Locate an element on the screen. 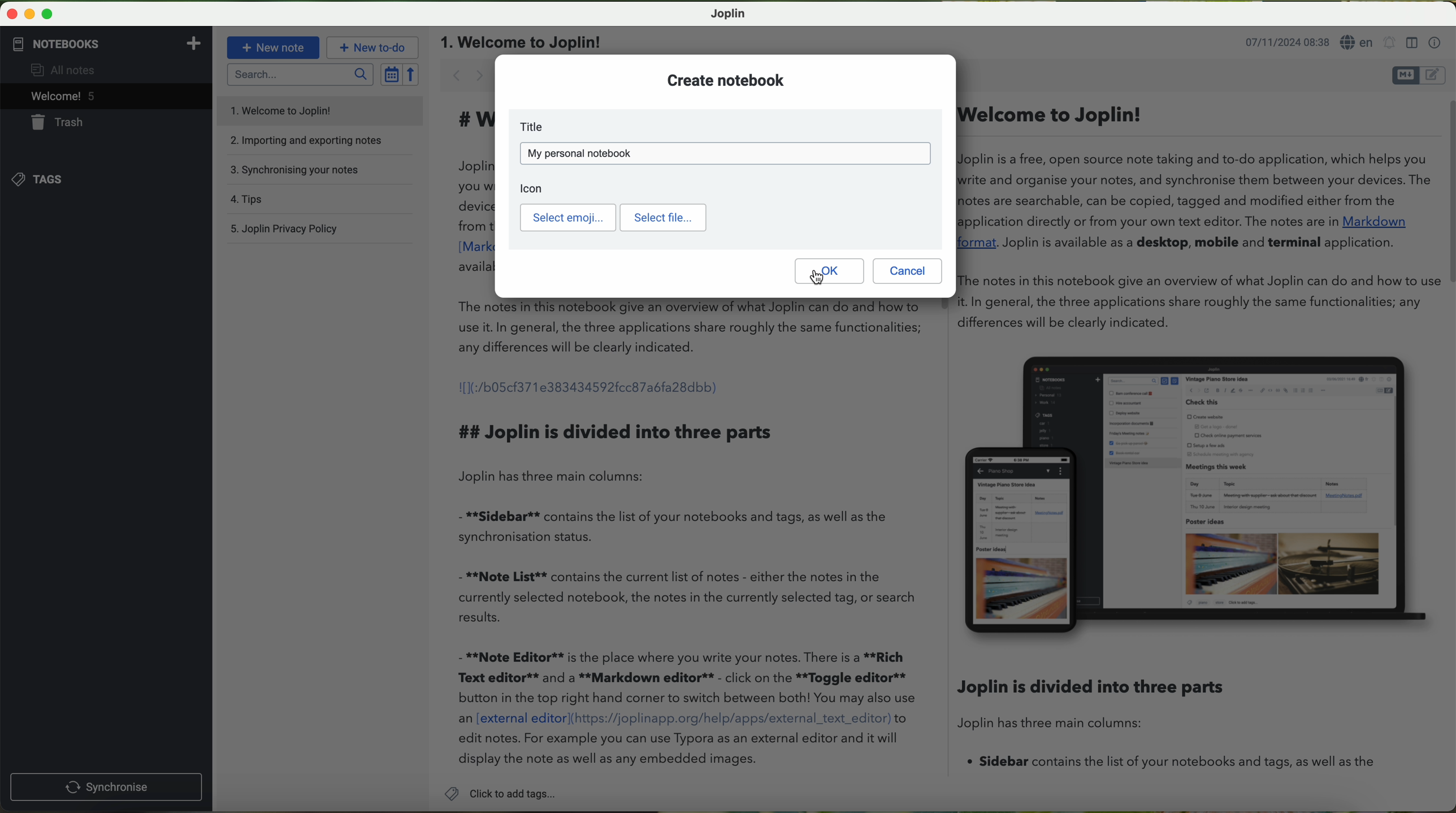  vertical scroll bar is located at coordinates (1446, 193).